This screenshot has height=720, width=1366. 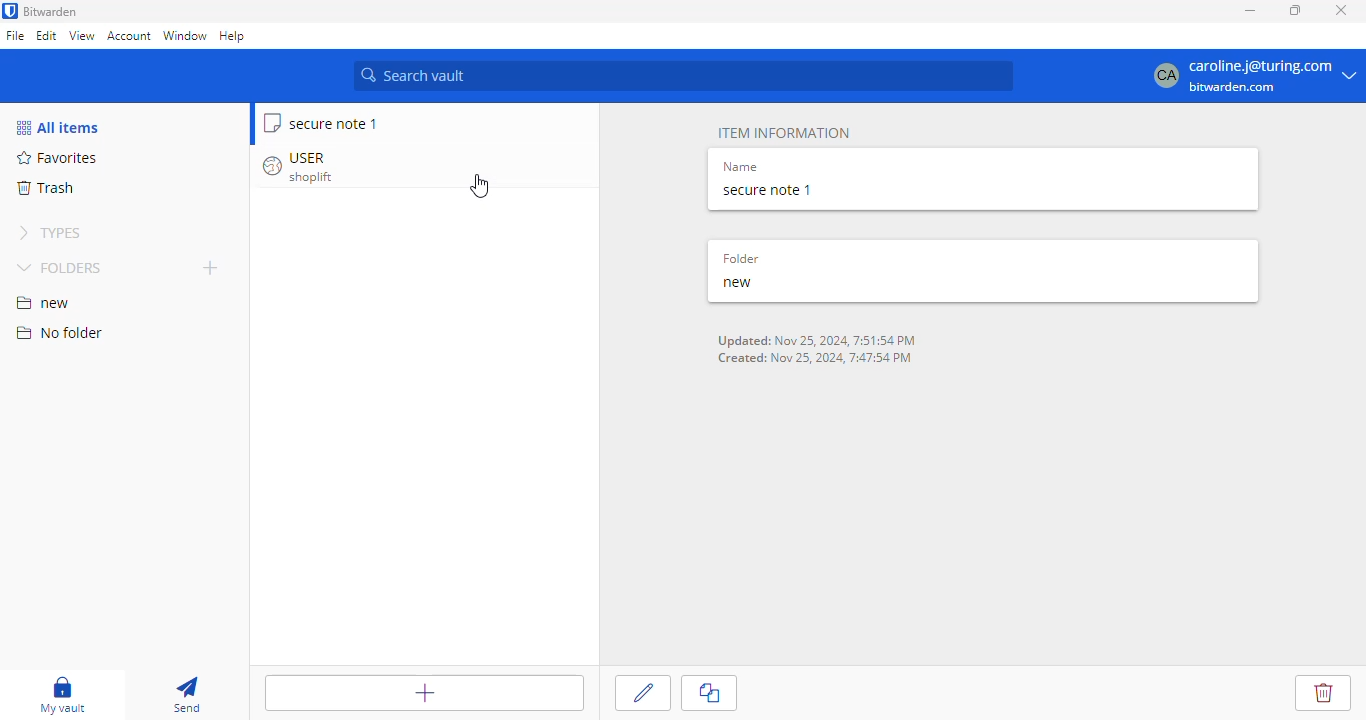 What do you see at coordinates (739, 257) in the screenshot?
I see `folder` at bounding box center [739, 257].